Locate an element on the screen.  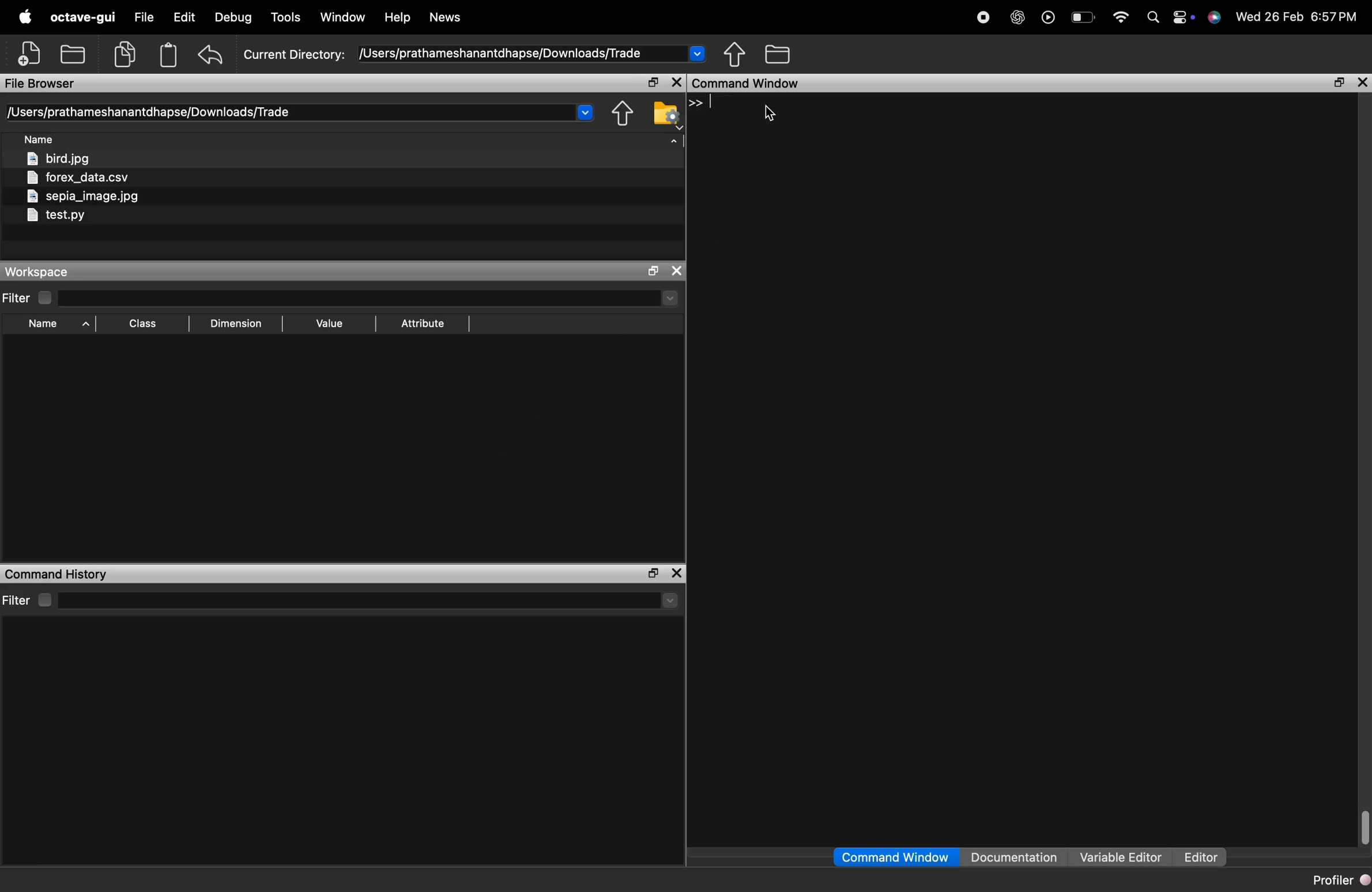
close is located at coordinates (1363, 83).